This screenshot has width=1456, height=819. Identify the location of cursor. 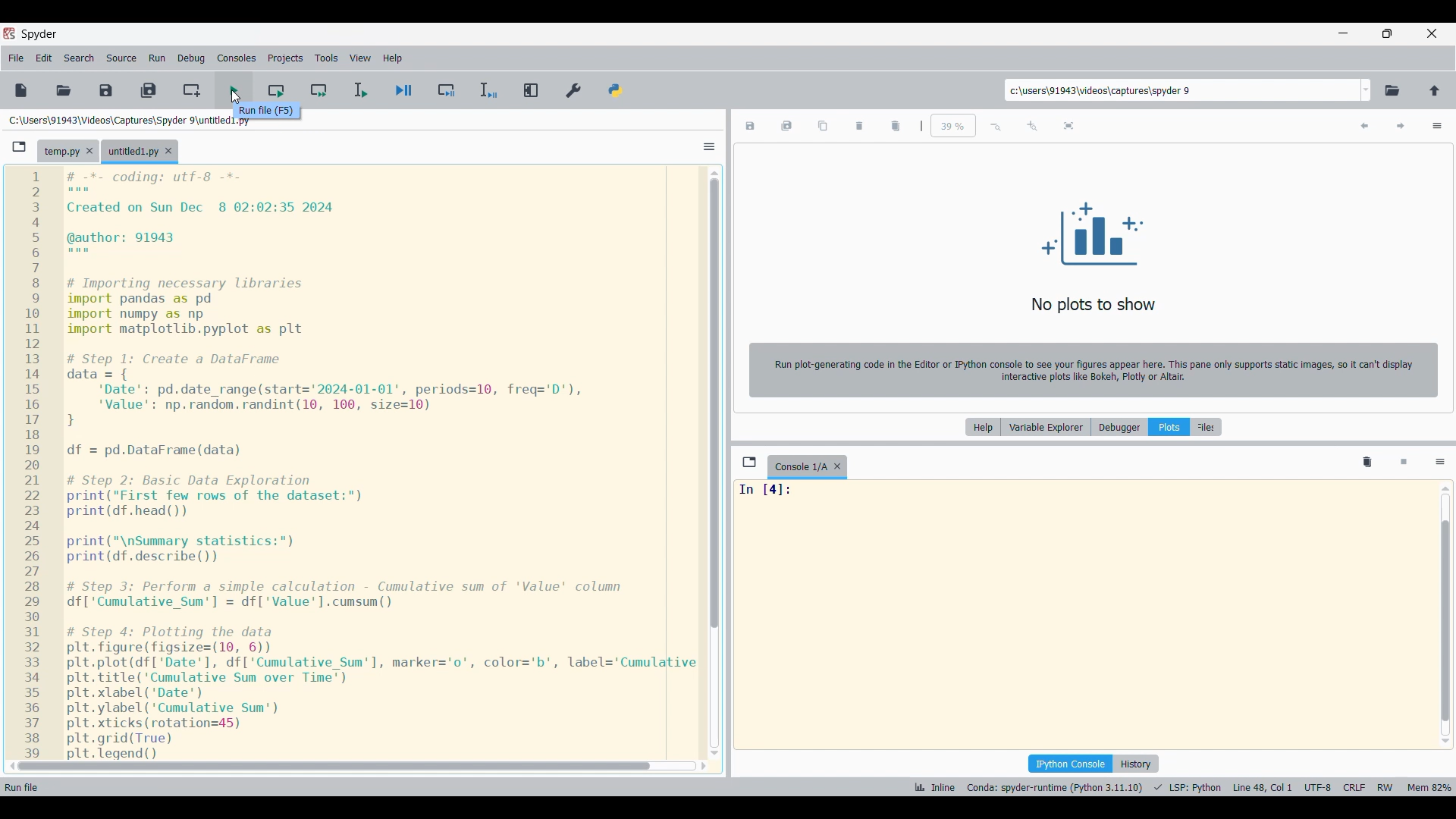
(237, 99).